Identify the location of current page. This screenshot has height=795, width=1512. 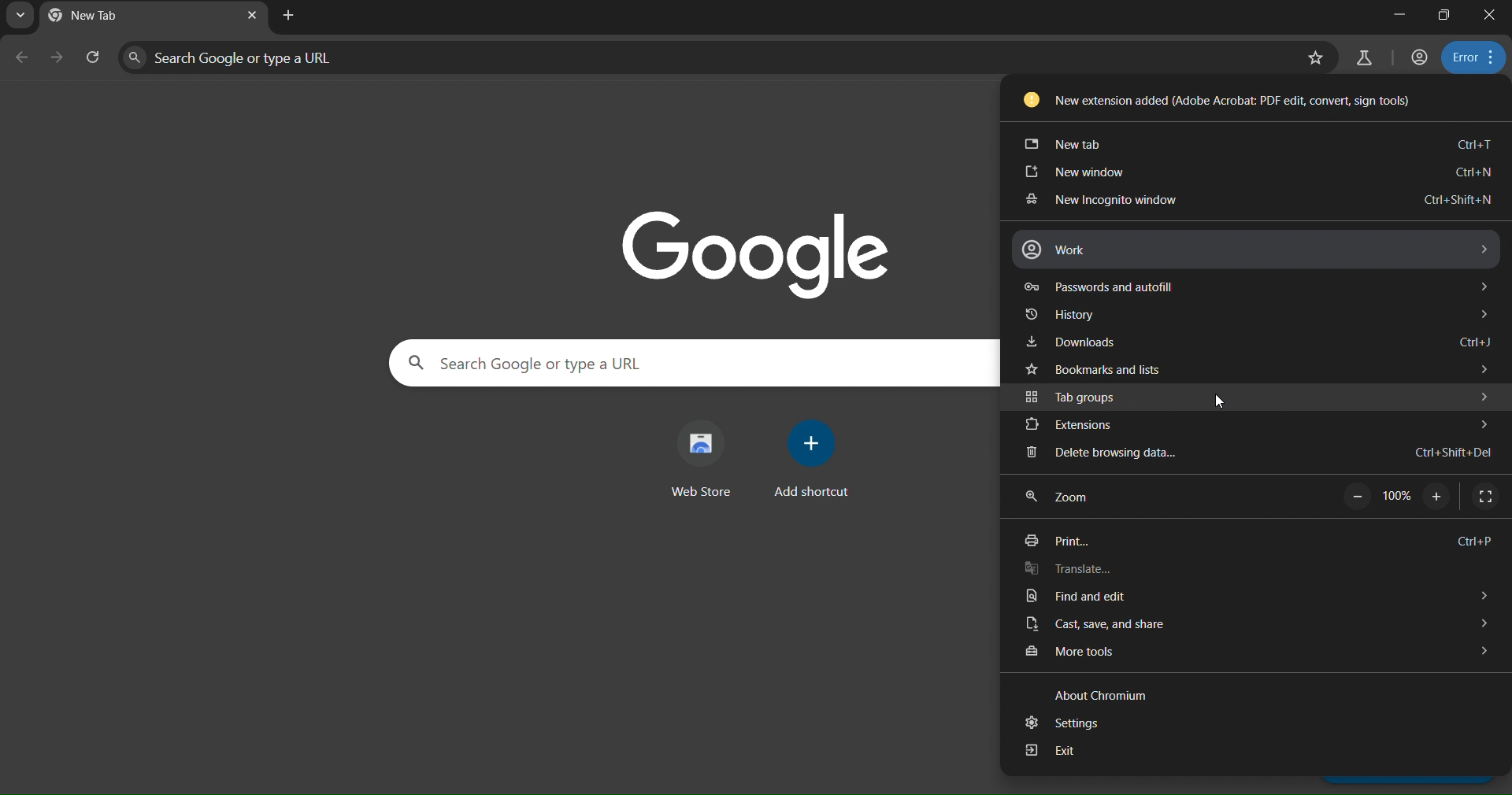
(98, 15).